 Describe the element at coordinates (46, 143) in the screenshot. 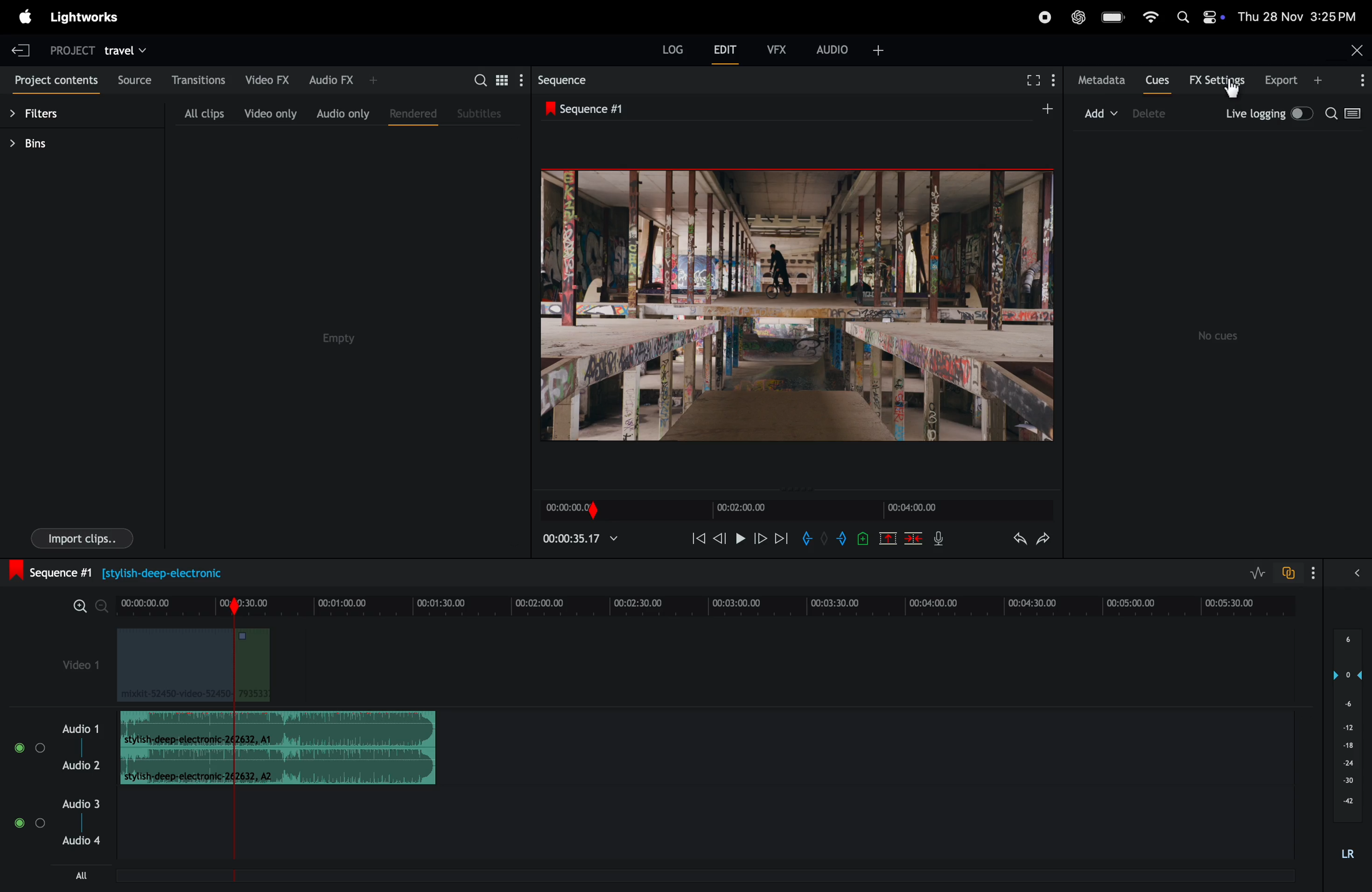

I see `bins` at that location.